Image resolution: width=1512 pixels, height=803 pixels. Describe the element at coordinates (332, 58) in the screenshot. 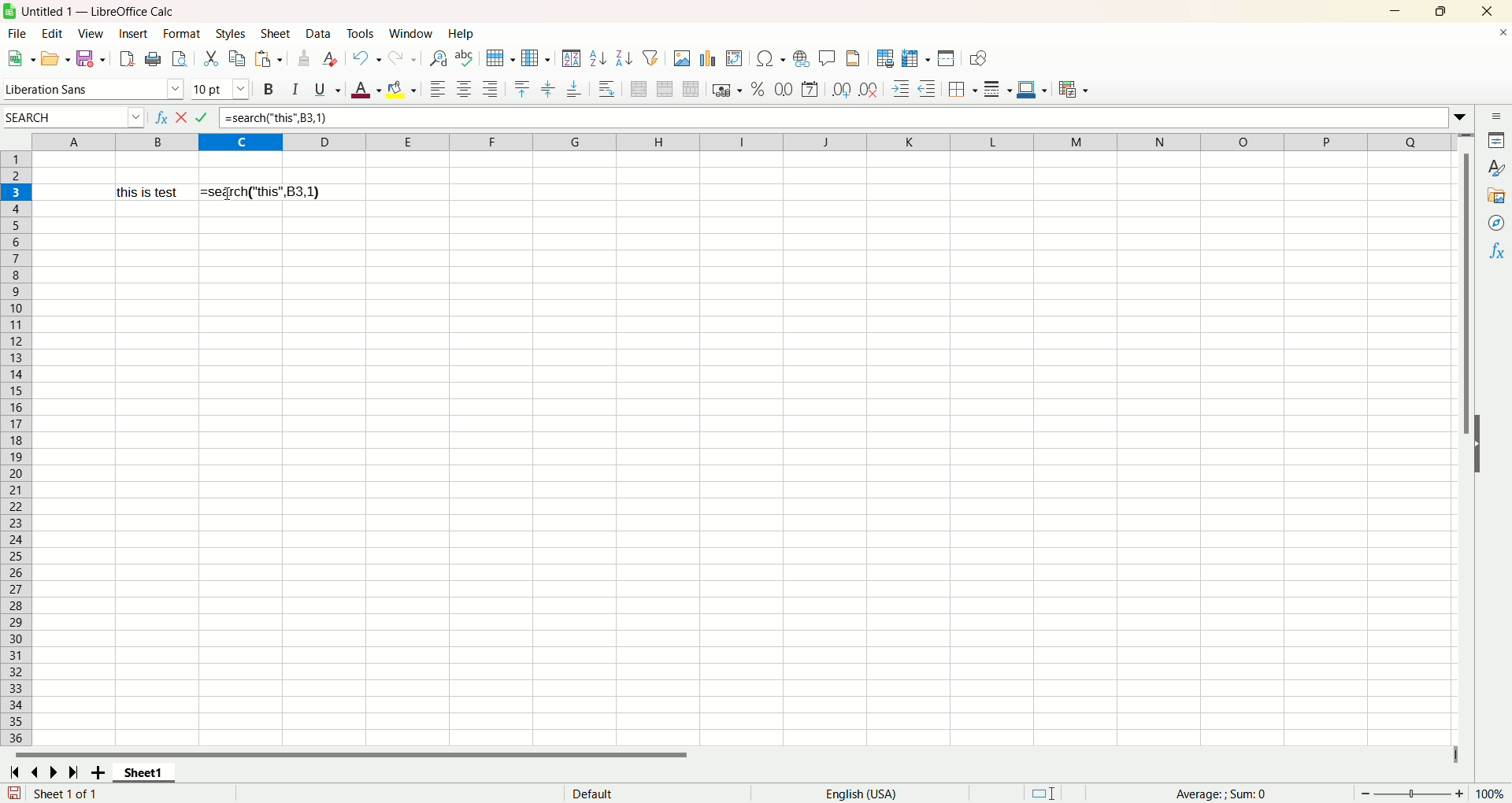

I see `clear formatting` at that location.